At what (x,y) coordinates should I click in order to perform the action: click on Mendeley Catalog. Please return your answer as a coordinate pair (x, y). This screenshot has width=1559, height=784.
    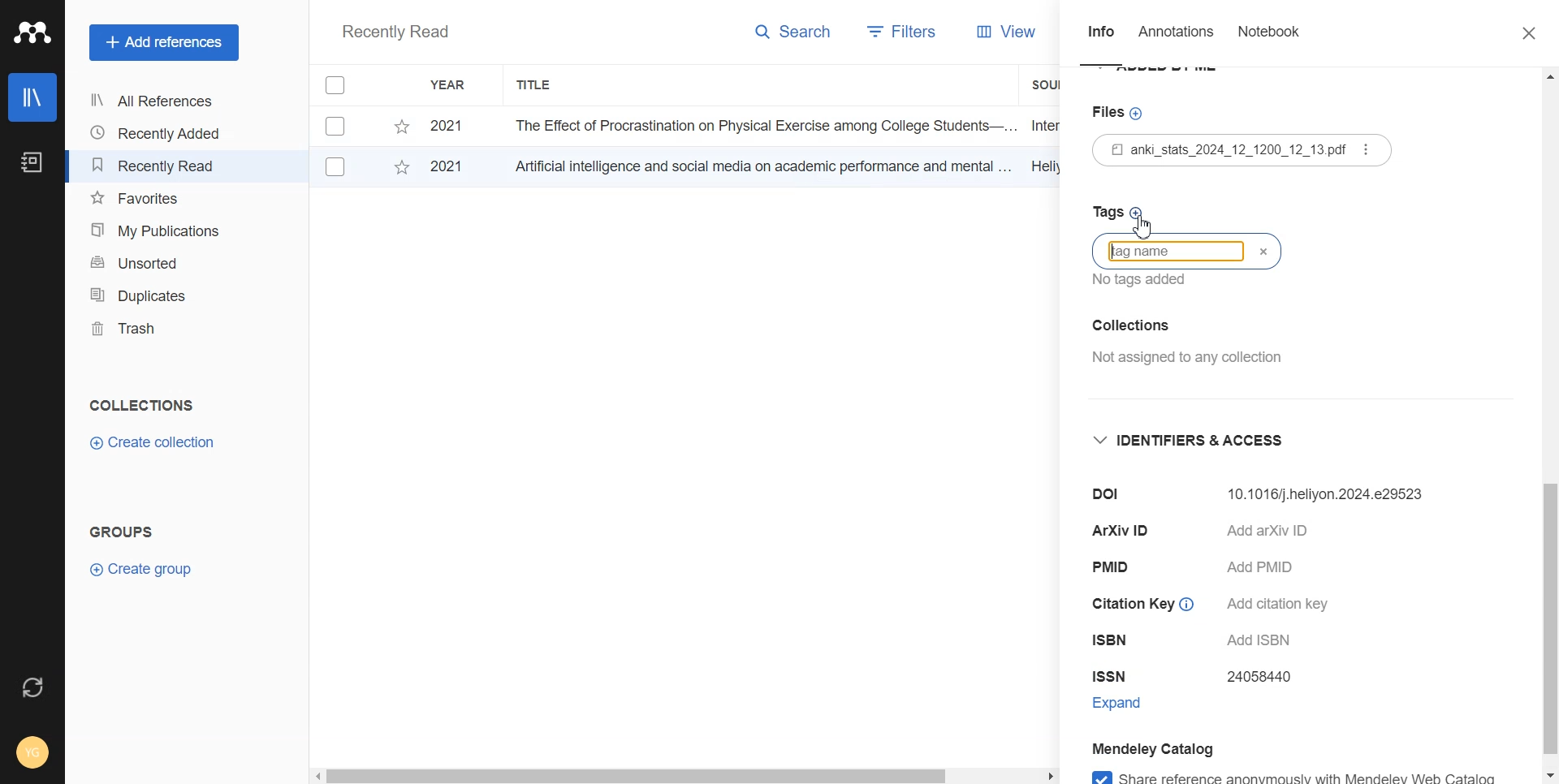
    Looking at the image, I should click on (1181, 748).